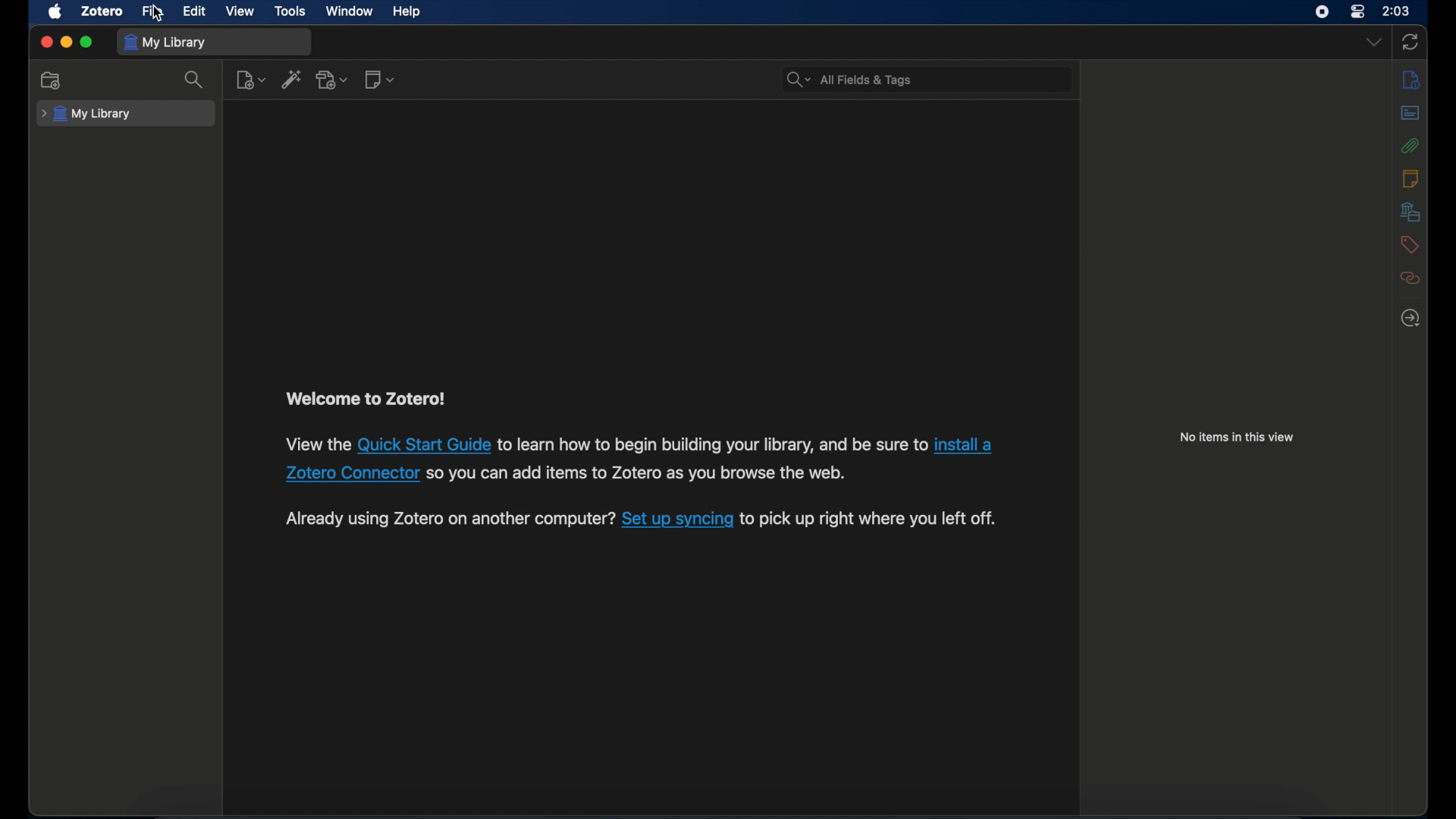 This screenshot has height=819, width=1456. Describe the element at coordinates (712, 444) in the screenshot. I see `text` at that location.